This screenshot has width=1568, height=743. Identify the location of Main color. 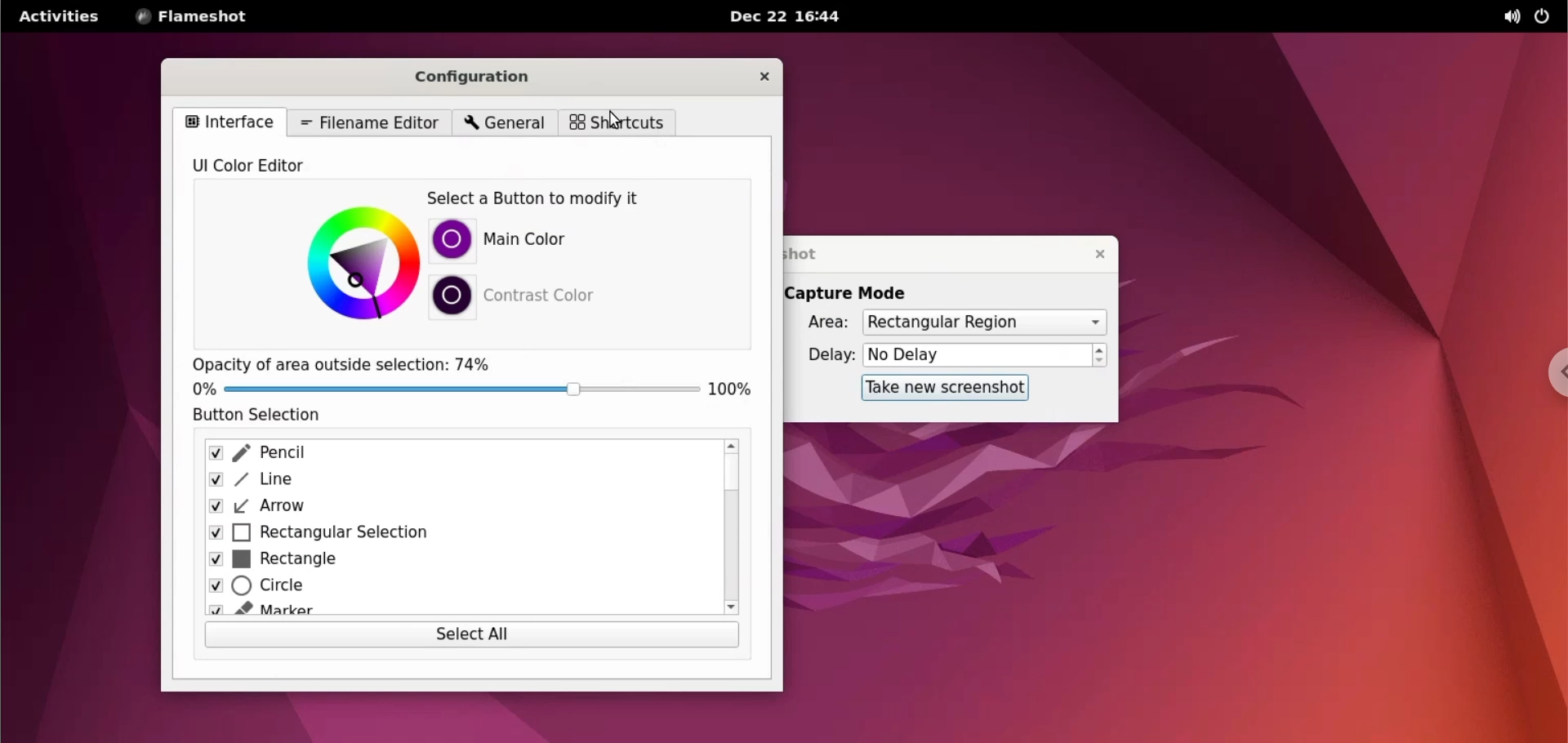
(542, 241).